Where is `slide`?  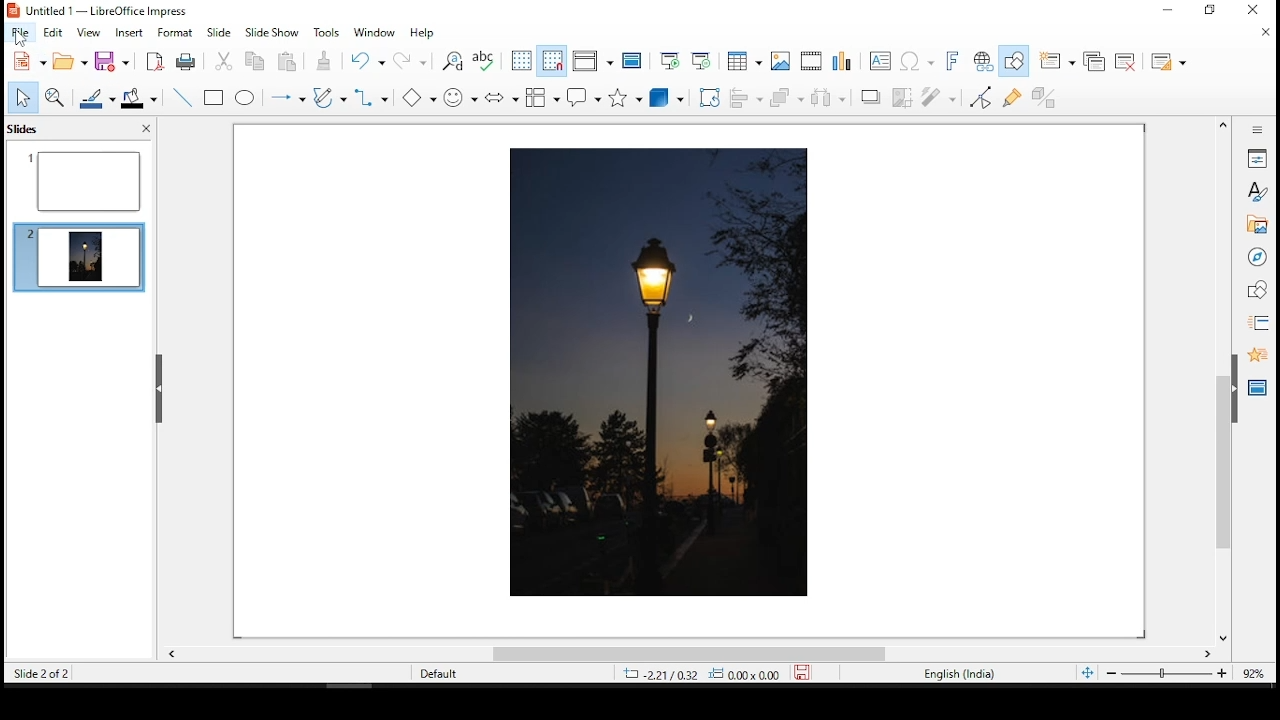 slide is located at coordinates (219, 33).